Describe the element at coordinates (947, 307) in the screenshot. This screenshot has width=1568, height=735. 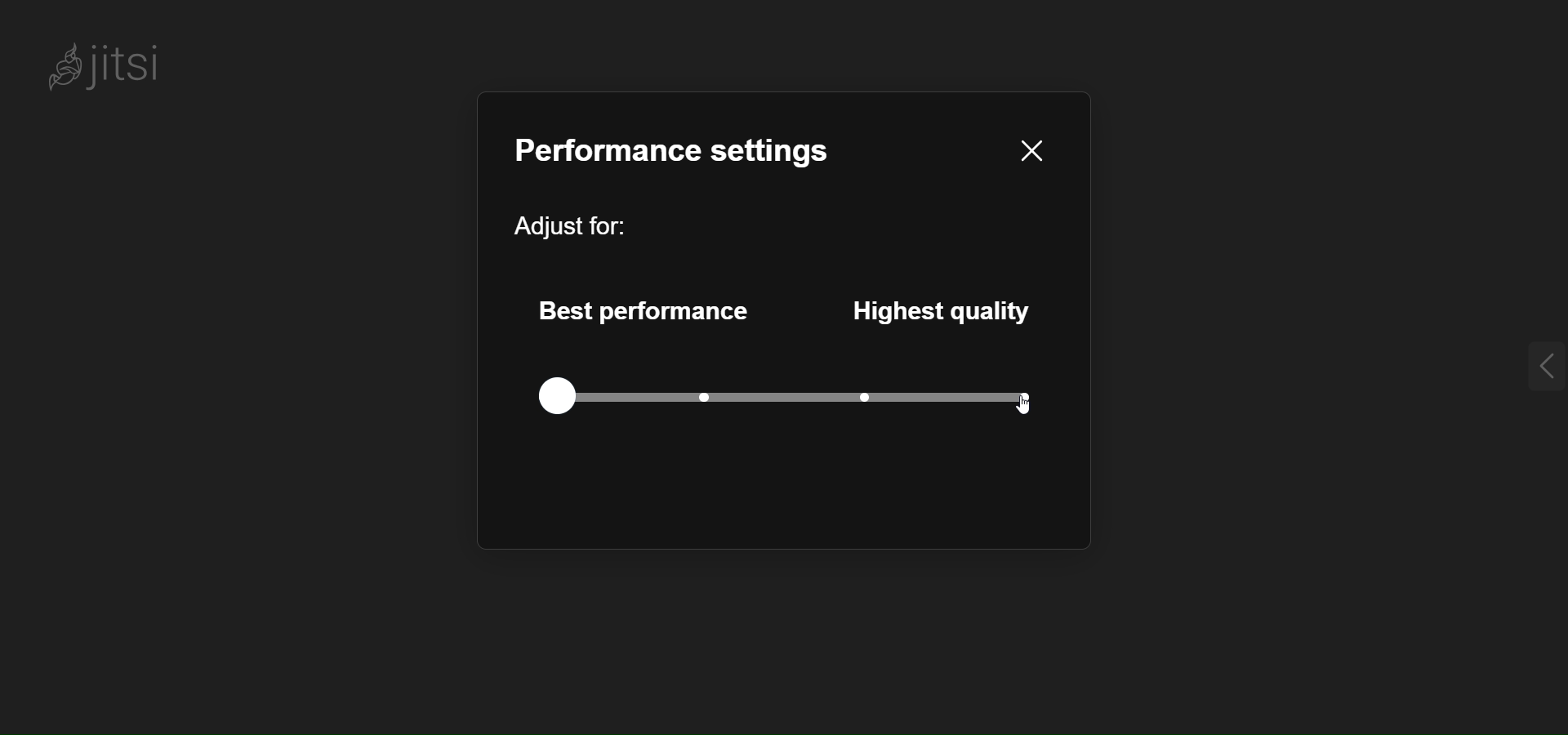
I see `highest quality` at that location.